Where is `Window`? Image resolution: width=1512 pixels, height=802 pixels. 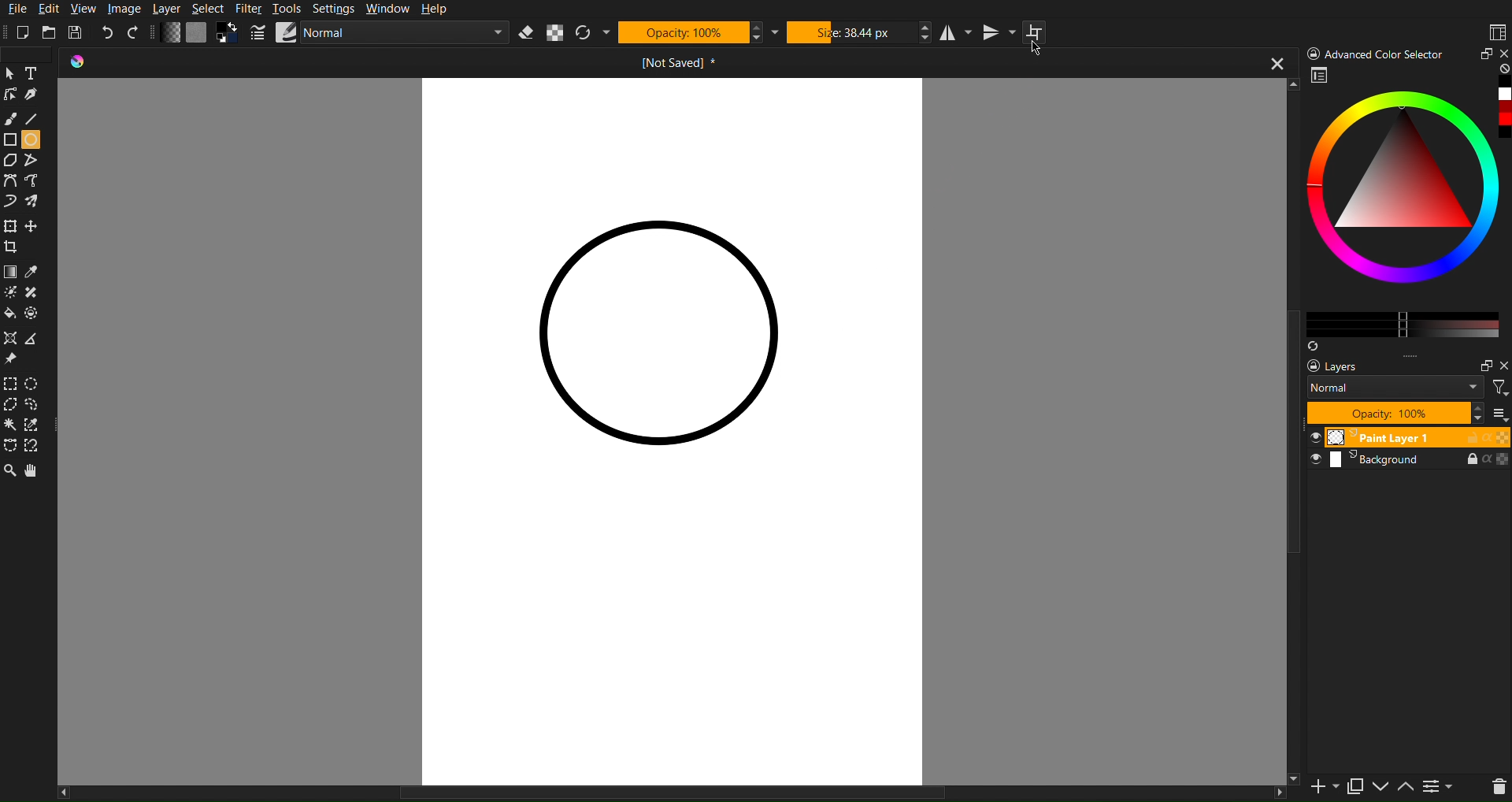
Window is located at coordinates (391, 9).